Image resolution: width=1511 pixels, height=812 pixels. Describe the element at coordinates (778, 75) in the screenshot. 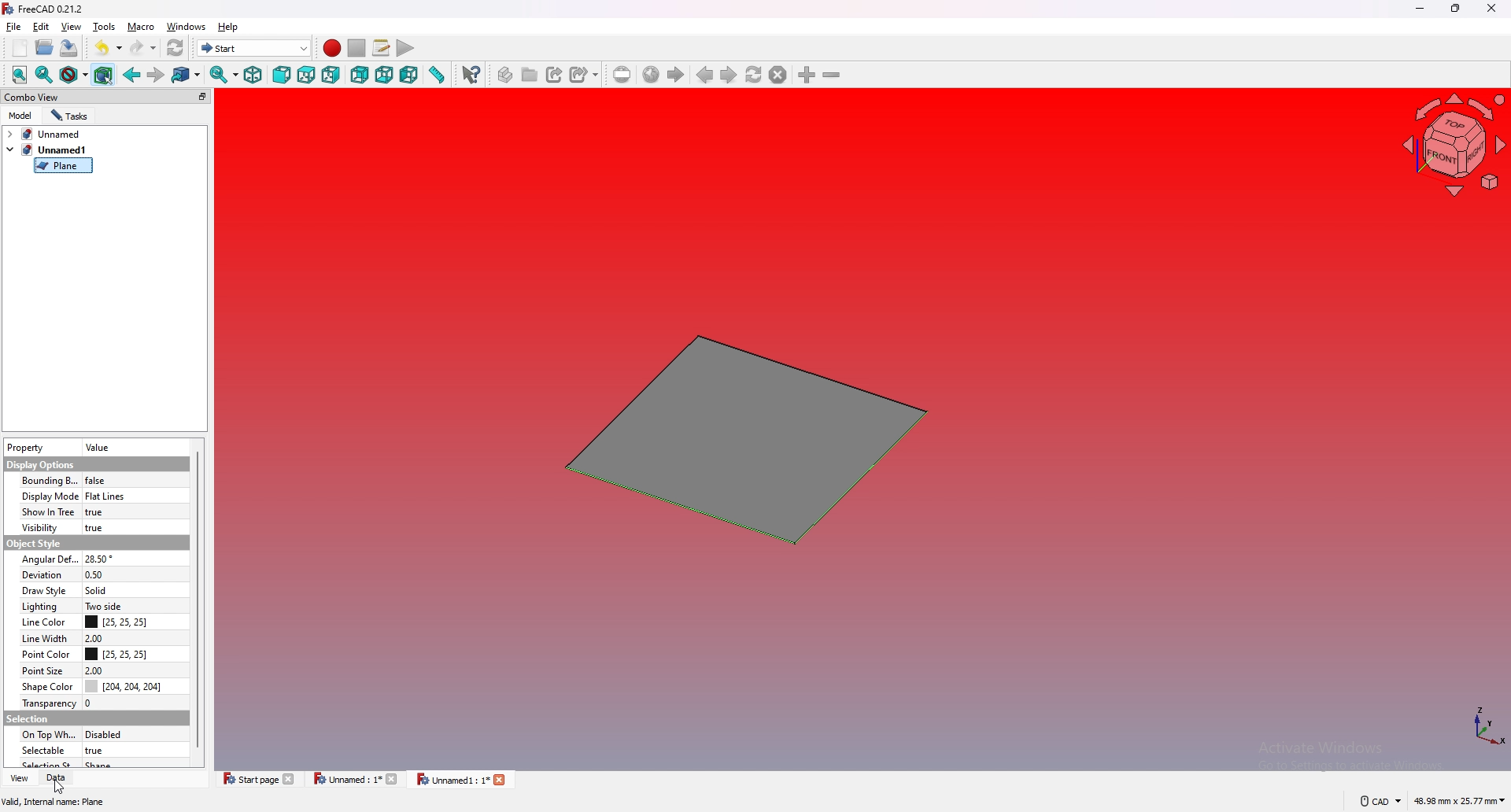

I see `stop loading` at that location.